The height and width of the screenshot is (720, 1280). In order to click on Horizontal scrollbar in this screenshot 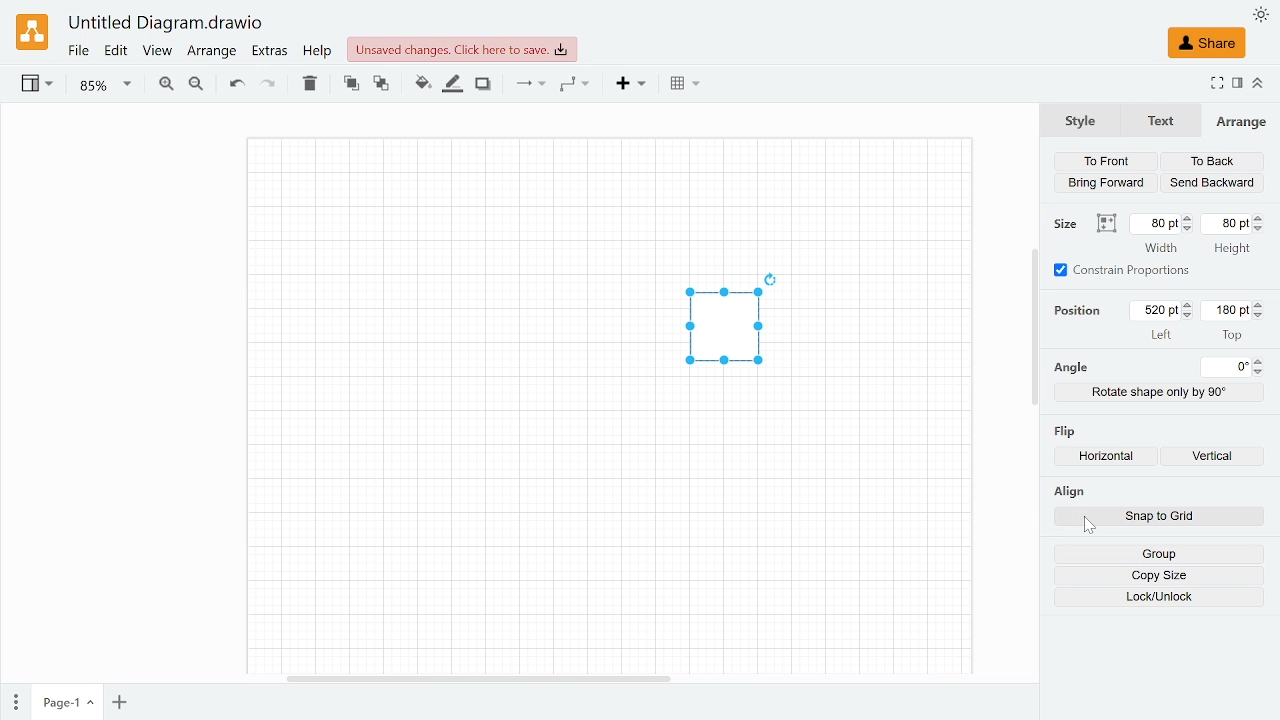, I will do `click(479, 677)`.